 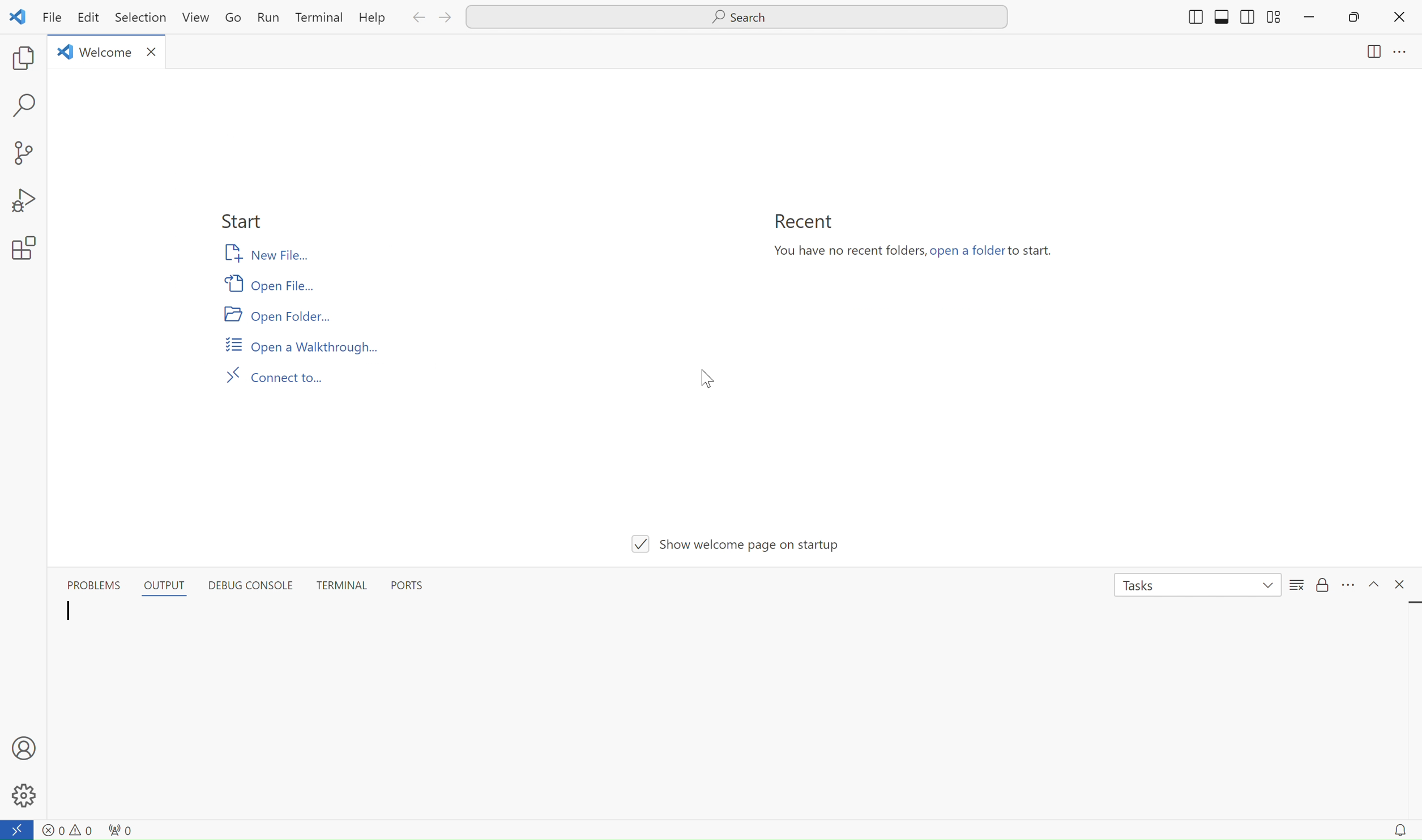 What do you see at coordinates (20, 18) in the screenshot?
I see `logo` at bounding box center [20, 18].